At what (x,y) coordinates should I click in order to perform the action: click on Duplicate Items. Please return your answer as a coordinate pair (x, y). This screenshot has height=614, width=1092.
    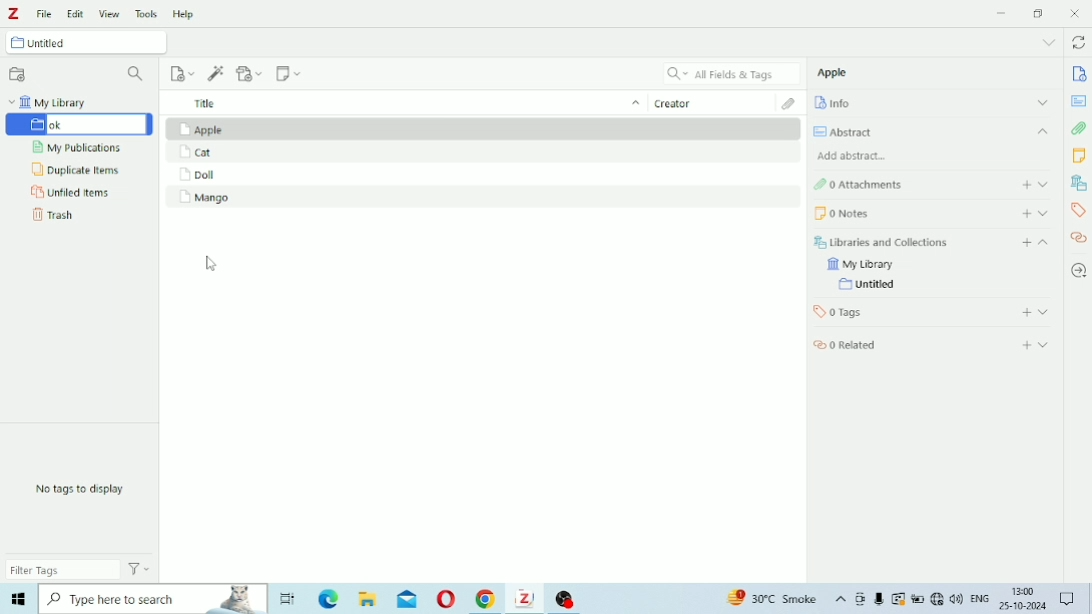
    Looking at the image, I should click on (75, 168).